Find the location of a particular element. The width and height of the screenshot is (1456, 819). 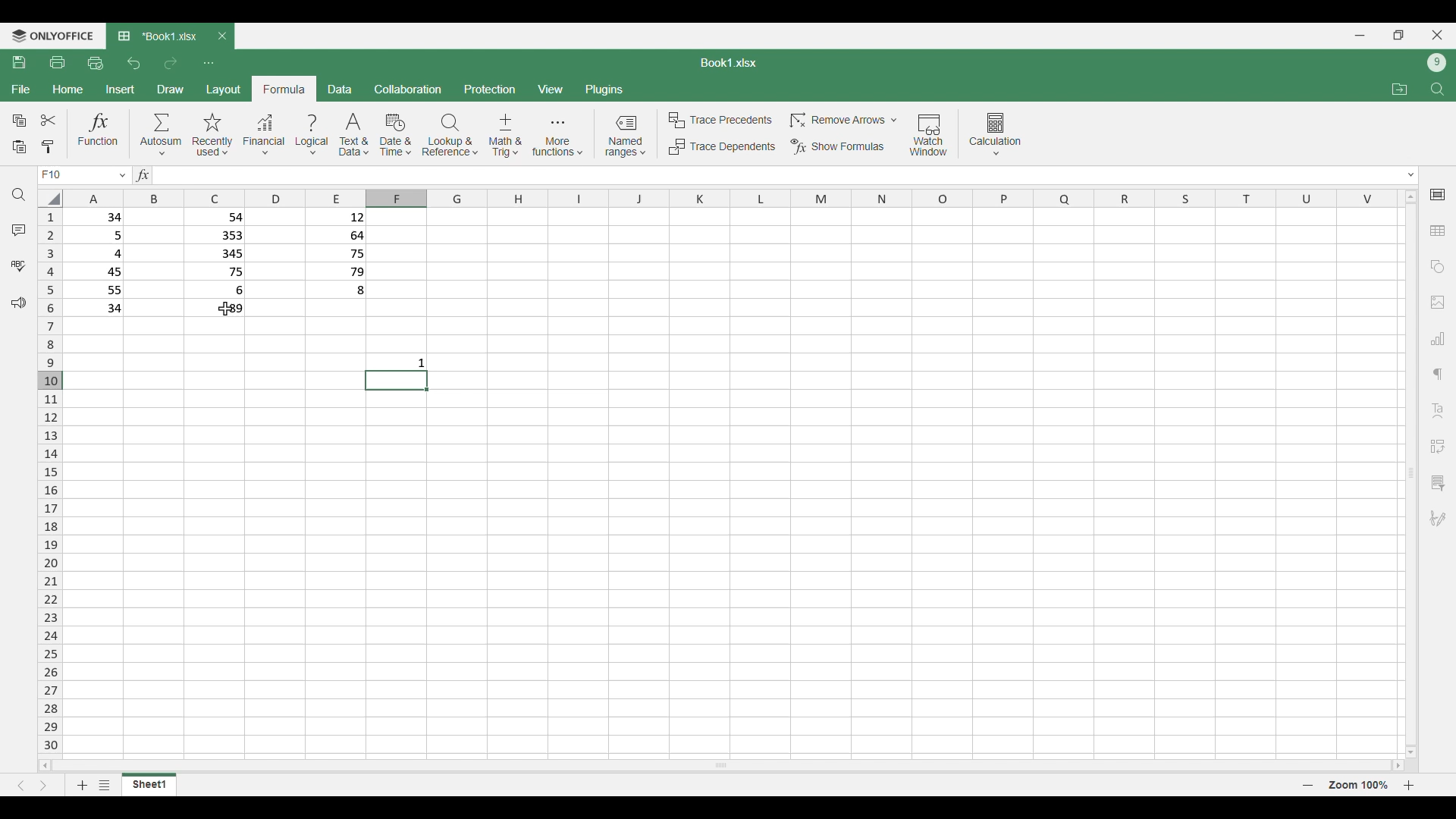

Plugins menu is located at coordinates (604, 89).